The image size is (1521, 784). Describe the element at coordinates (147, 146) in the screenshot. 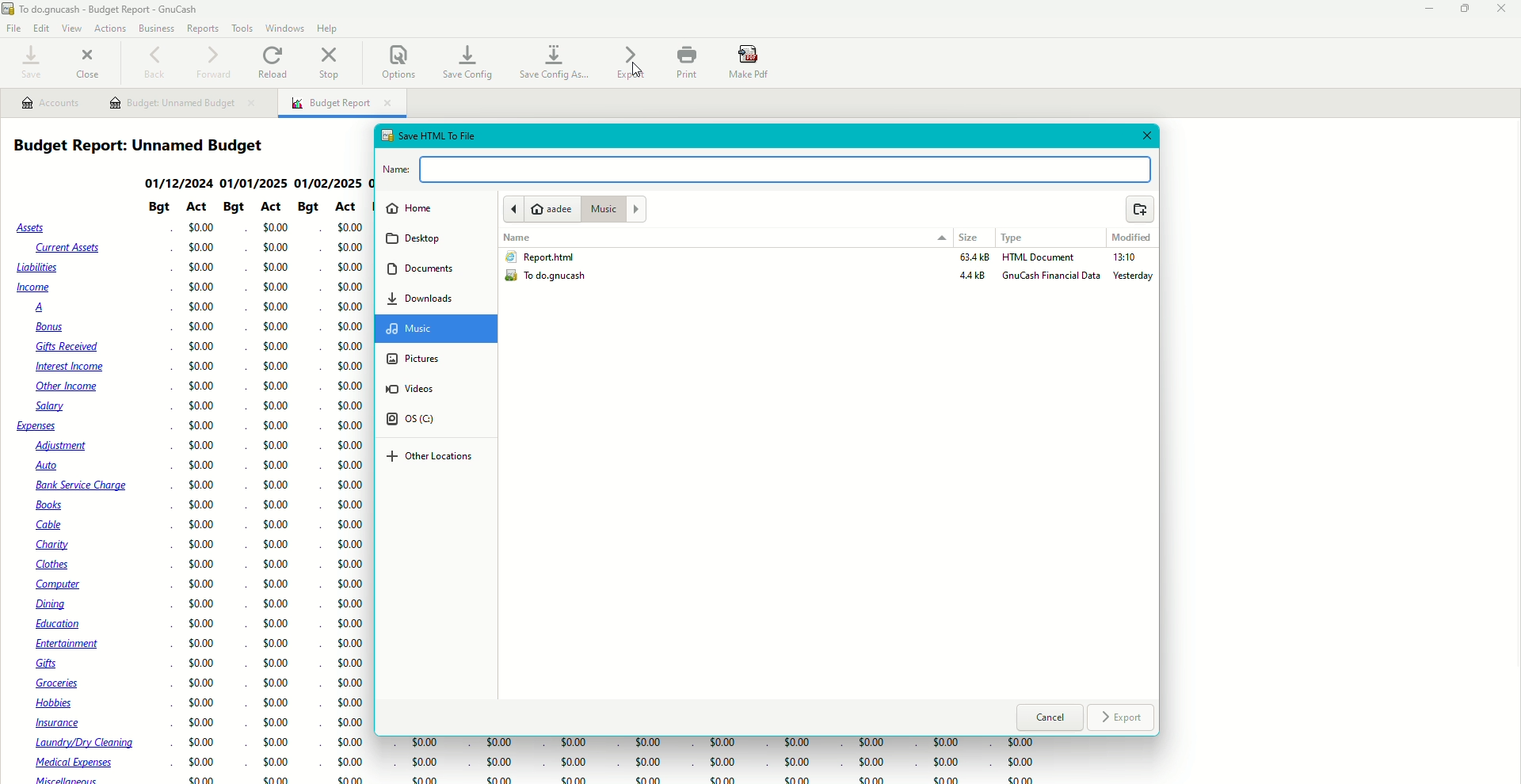

I see `Budget Report` at that location.